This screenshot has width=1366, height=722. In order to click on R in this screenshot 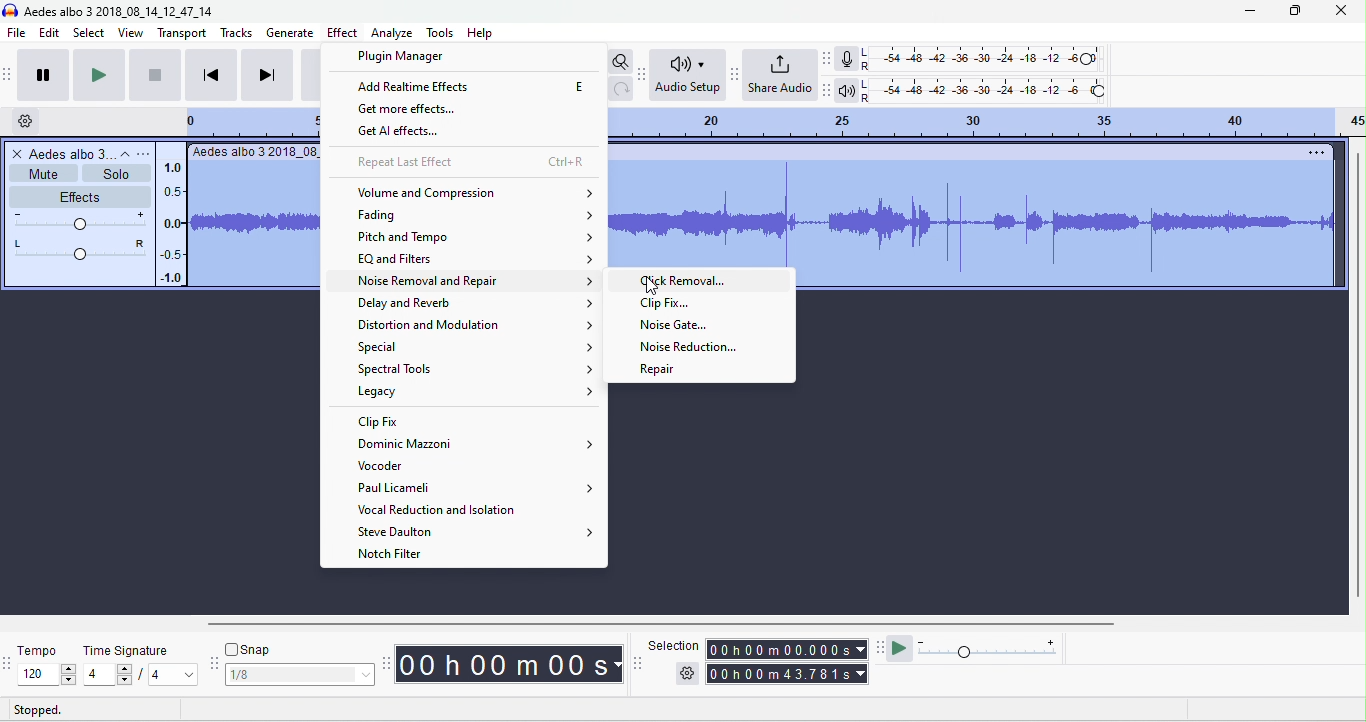, I will do `click(866, 67)`.